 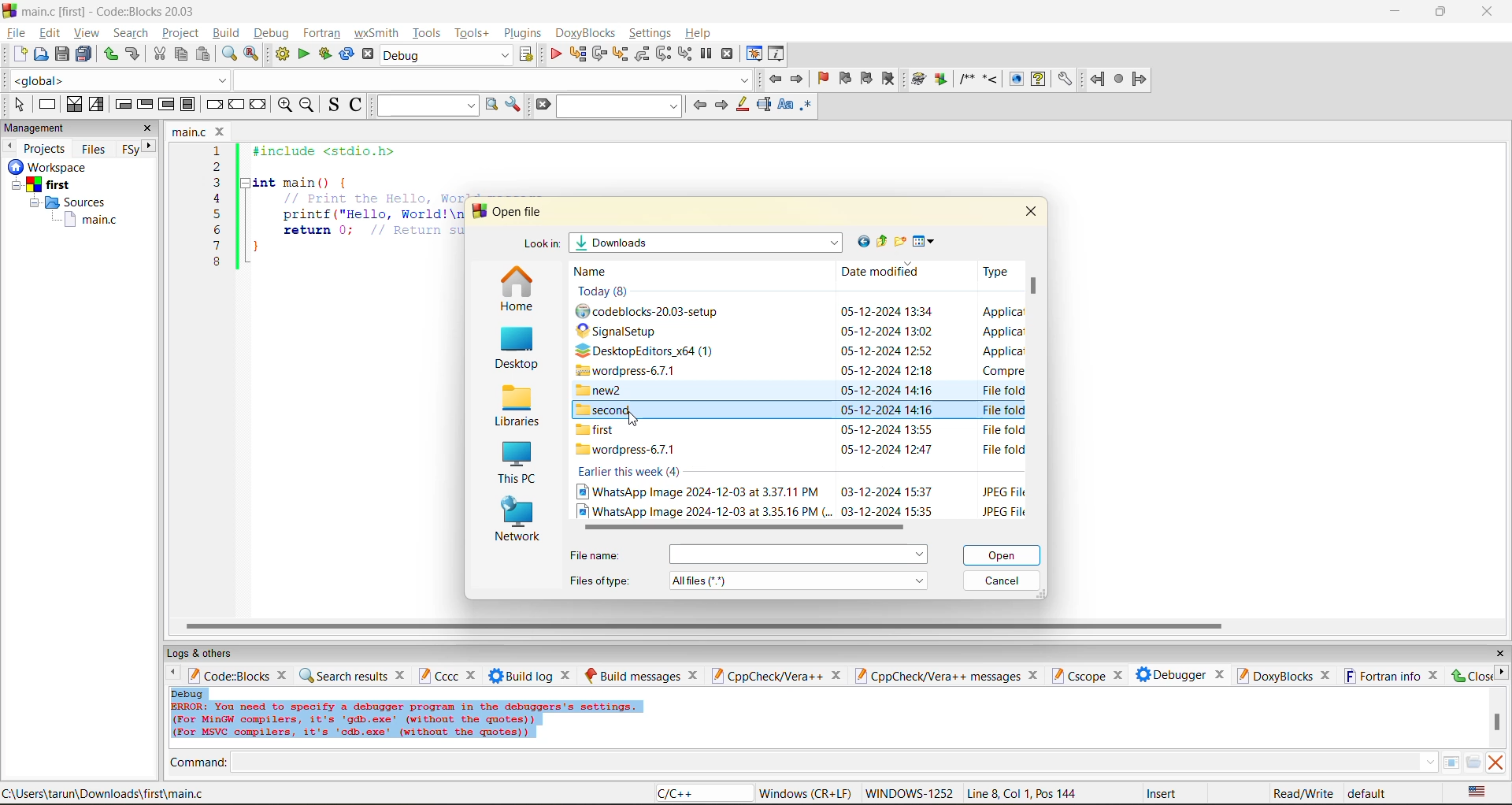 I want to click on show, so click(x=1014, y=79).